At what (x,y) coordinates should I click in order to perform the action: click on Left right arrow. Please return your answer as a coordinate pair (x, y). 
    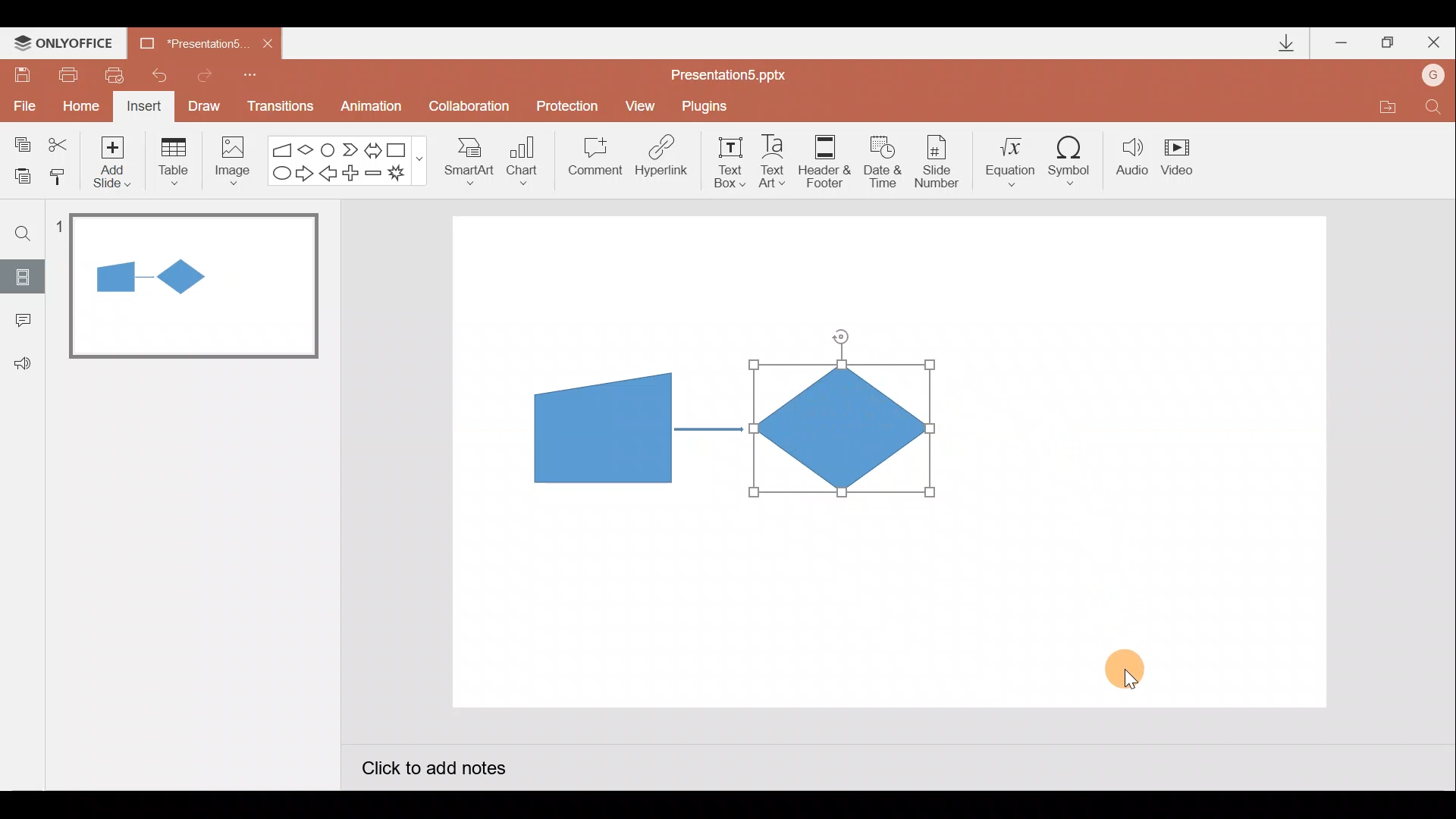
    Looking at the image, I should click on (375, 147).